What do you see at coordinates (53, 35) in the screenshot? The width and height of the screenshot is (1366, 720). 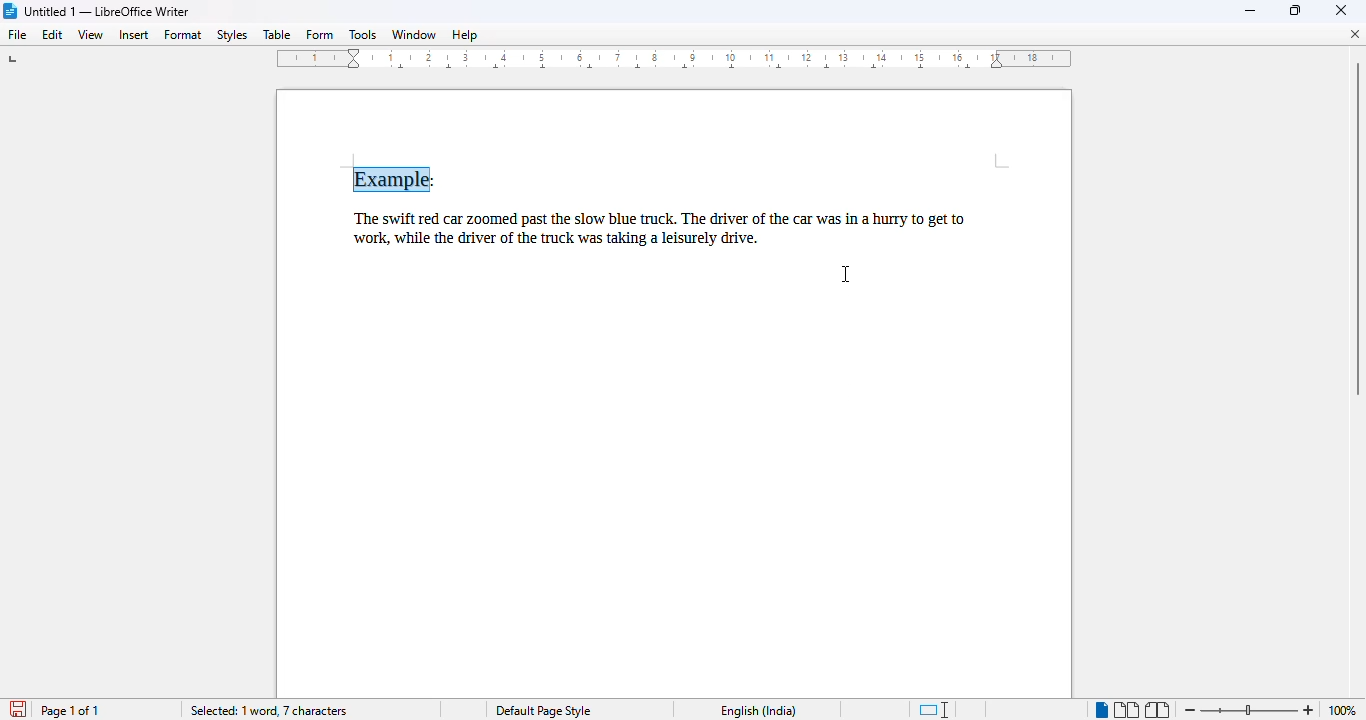 I see `edit` at bounding box center [53, 35].